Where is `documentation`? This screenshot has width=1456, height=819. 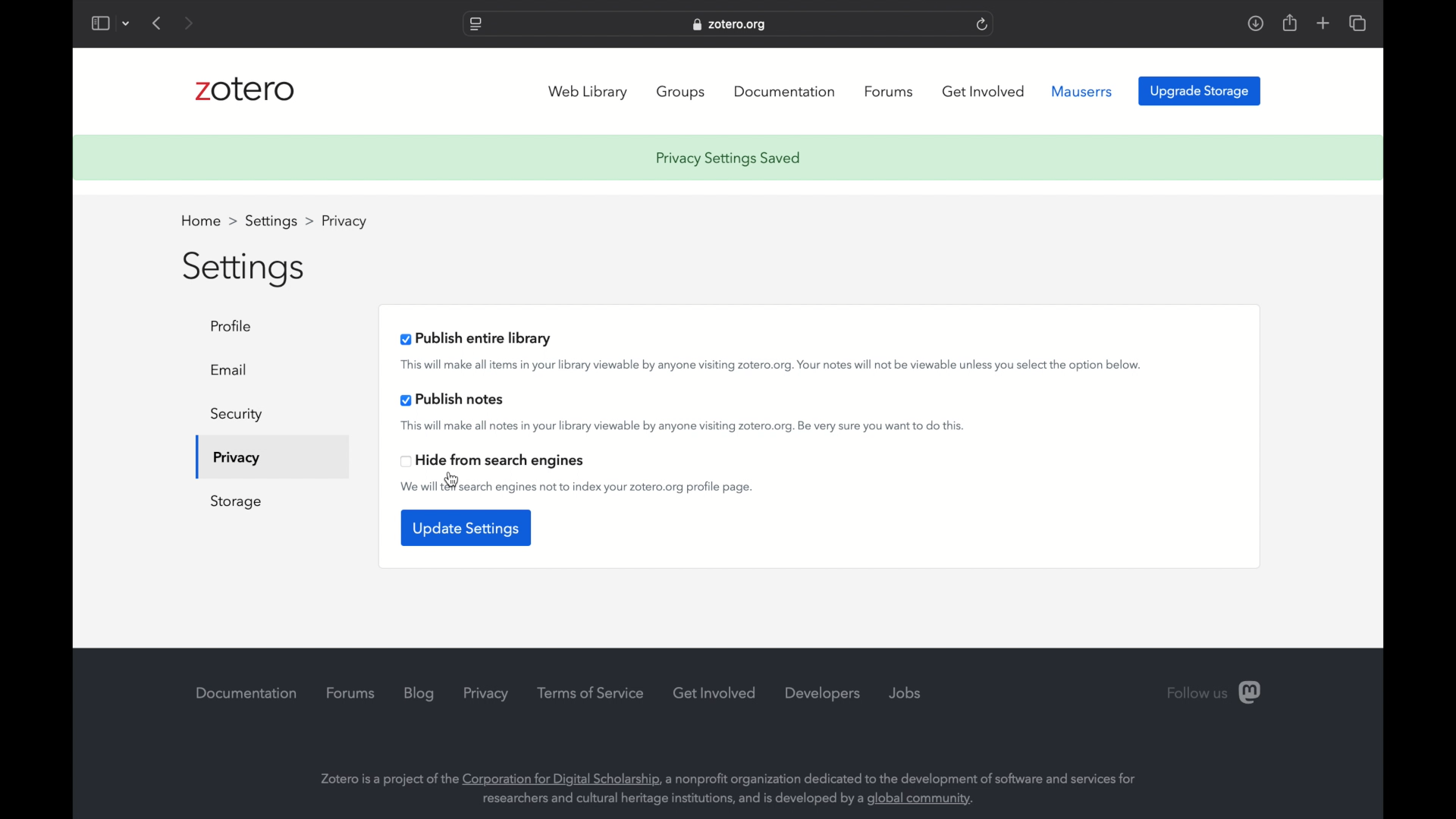
documentation is located at coordinates (784, 92).